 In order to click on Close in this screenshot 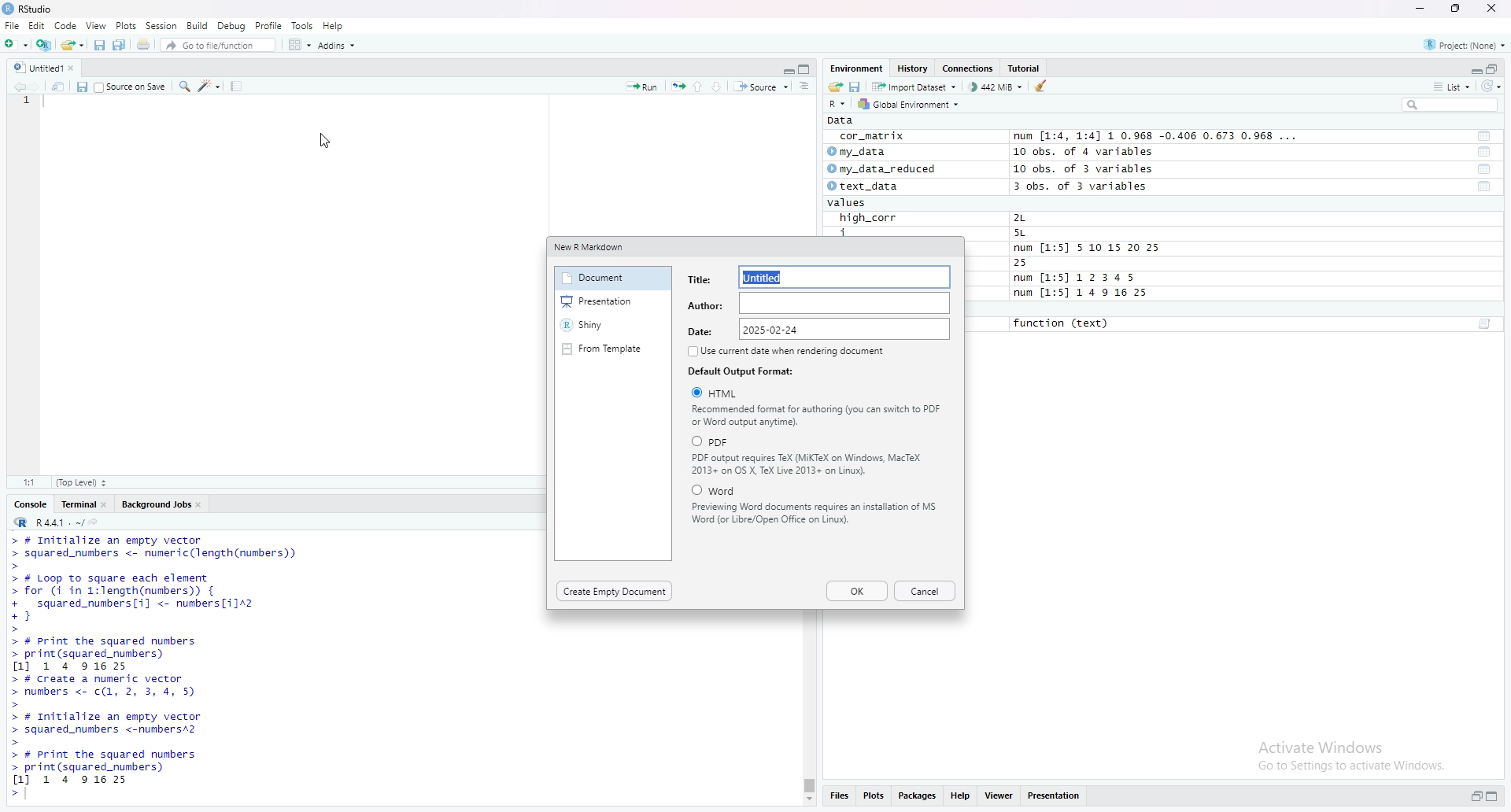, I will do `click(1491, 8)`.